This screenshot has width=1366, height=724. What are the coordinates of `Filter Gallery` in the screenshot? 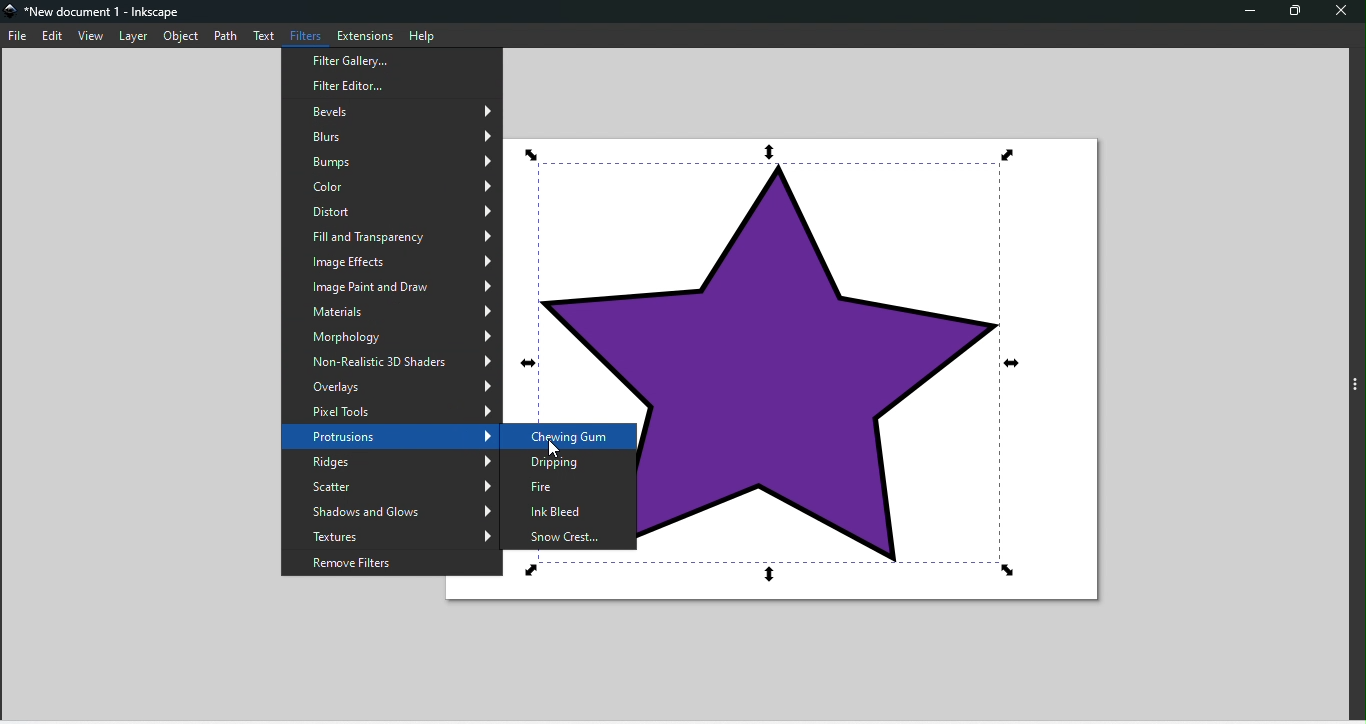 It's located at (393, 83).